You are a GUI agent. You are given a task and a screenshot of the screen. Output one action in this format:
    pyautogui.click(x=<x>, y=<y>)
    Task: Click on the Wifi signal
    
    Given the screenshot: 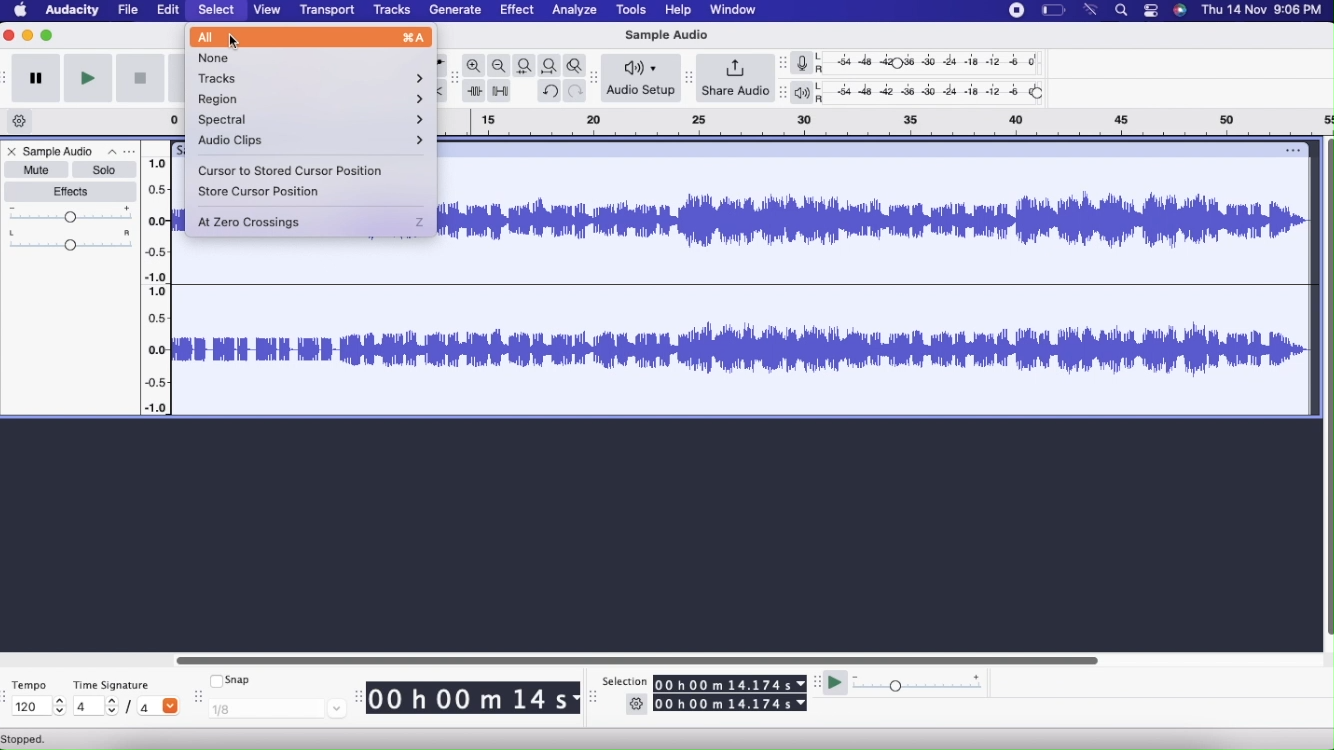 What is the action you would take?
    pyautogui.click(x=1093, y=11)
    